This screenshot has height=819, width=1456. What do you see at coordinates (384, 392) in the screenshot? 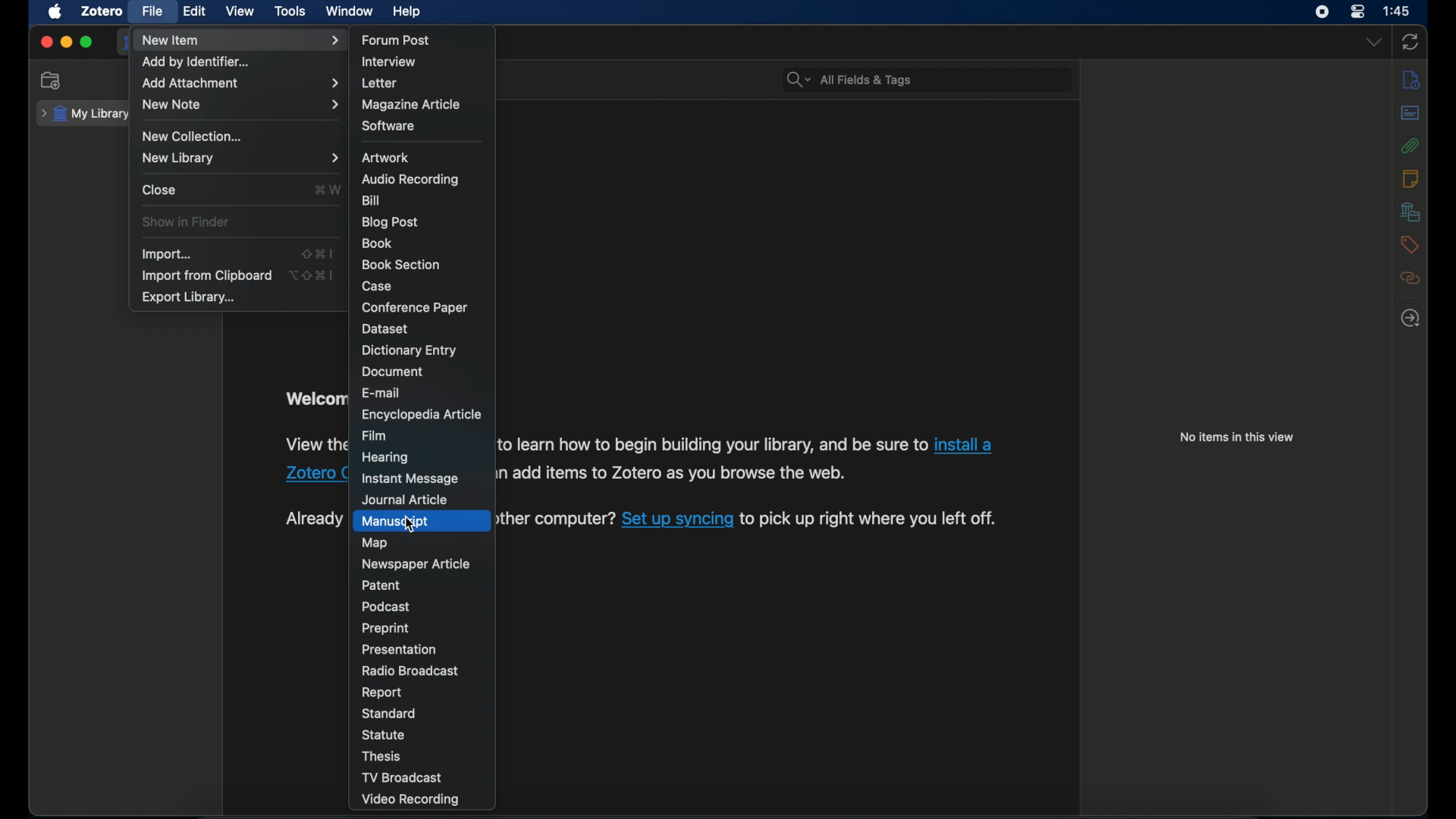
I see `e-mail` at bounding box center [384, 392].